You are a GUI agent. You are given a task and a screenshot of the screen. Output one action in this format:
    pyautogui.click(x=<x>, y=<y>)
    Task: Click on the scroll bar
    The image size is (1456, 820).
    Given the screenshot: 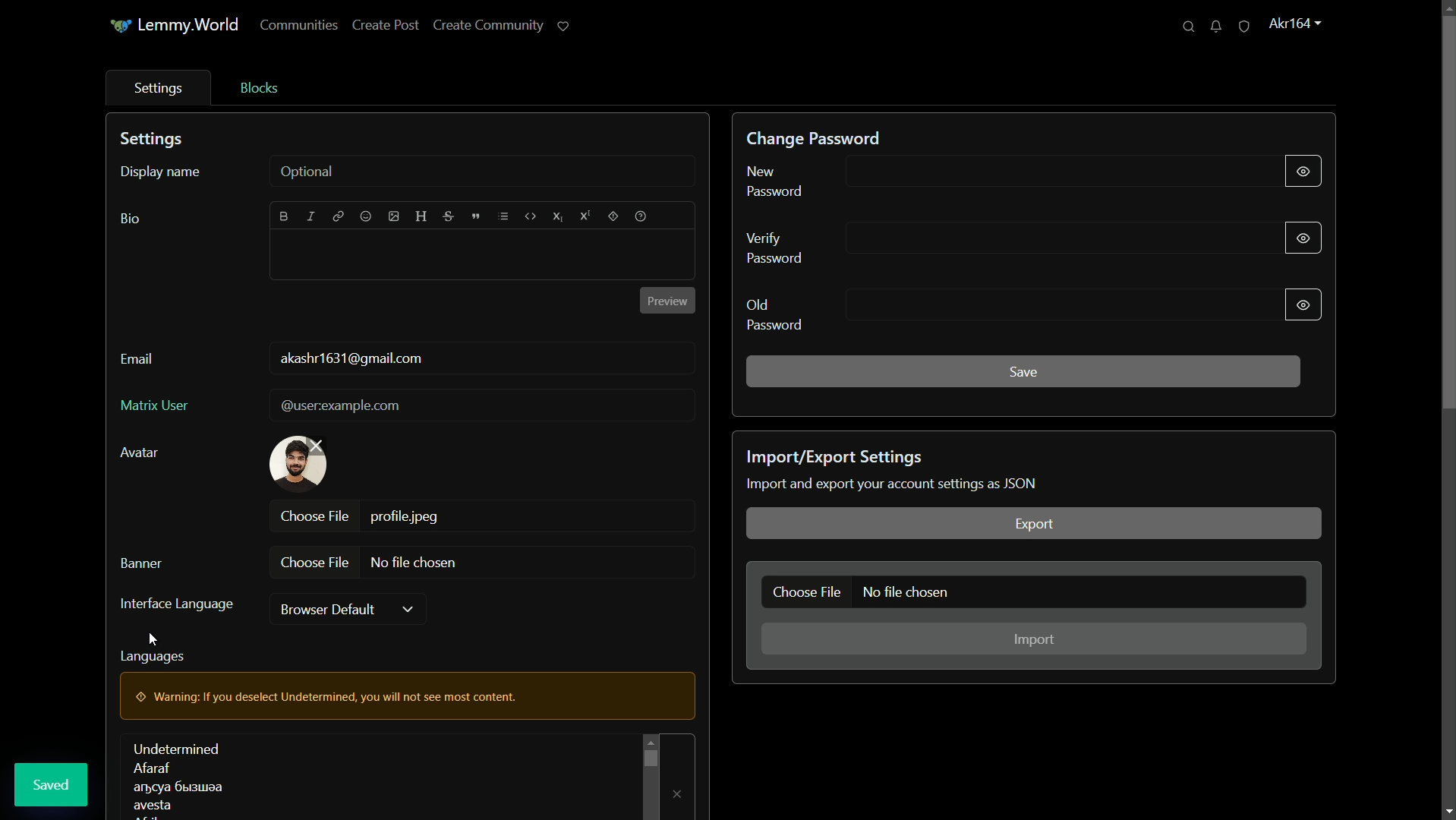 What is the action you would take?
    pyautogui.click(x=1447, y=221)
    